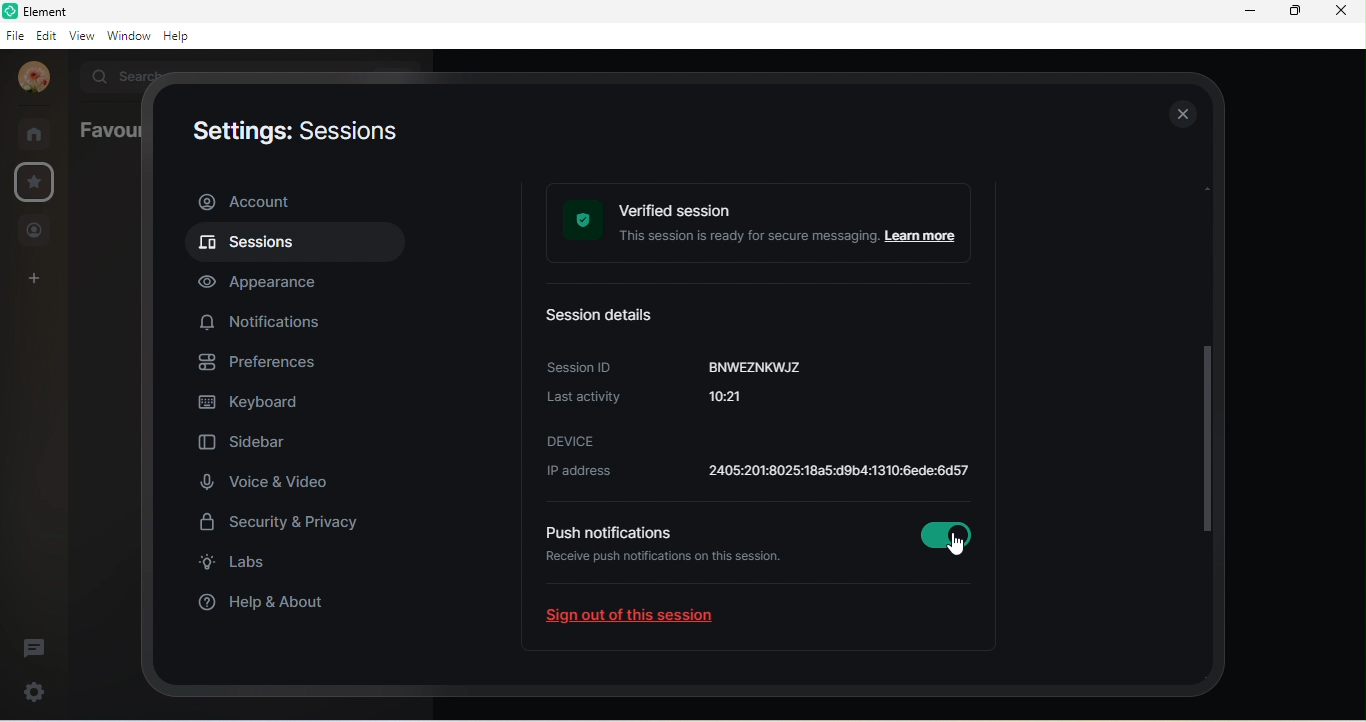 The image size is (1366, 722). Describe the element at coordinates (76, 11) in the screenshot. I see `element b room` at that location.